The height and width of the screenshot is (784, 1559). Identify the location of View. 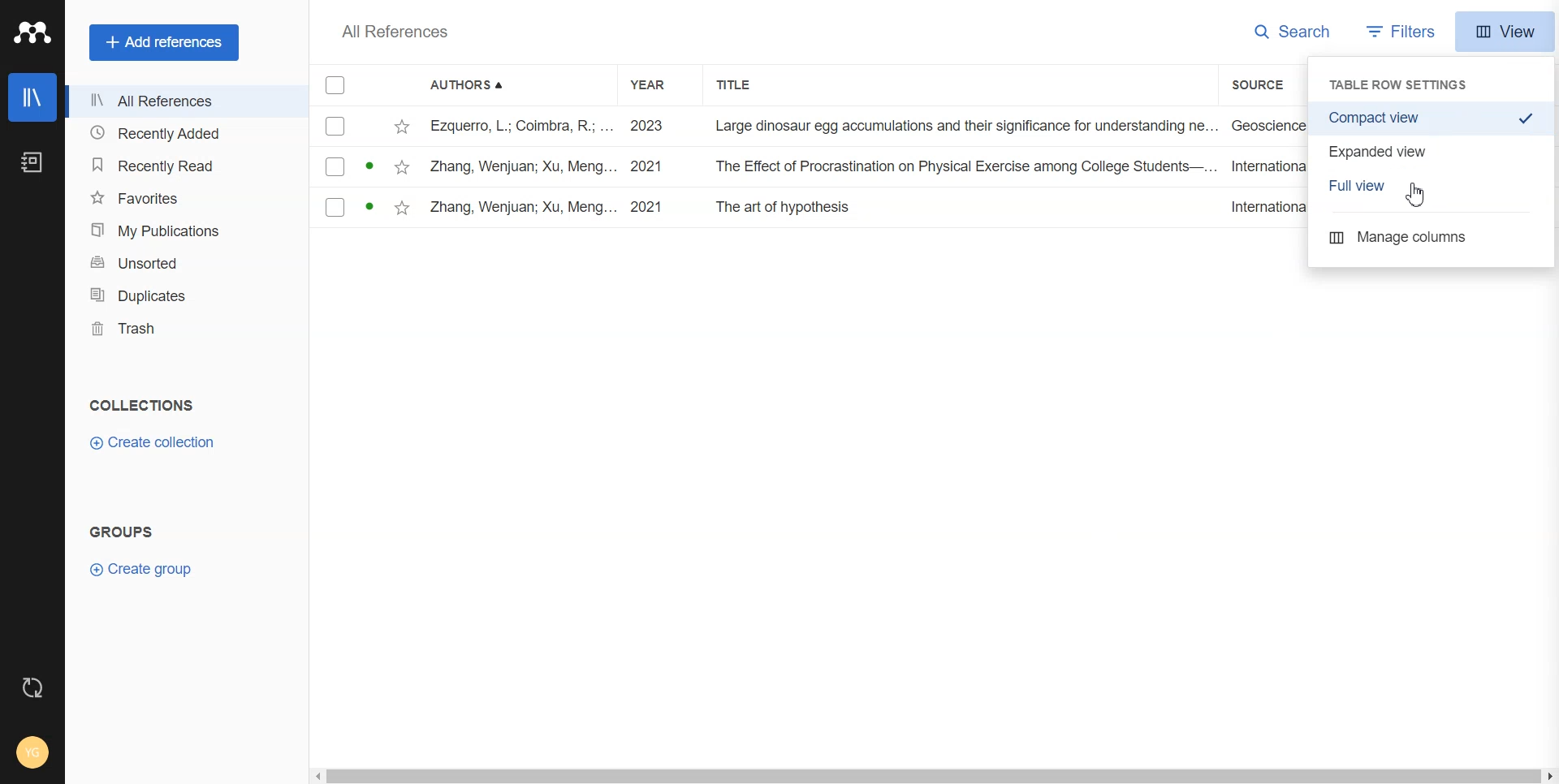
(1505, 32).